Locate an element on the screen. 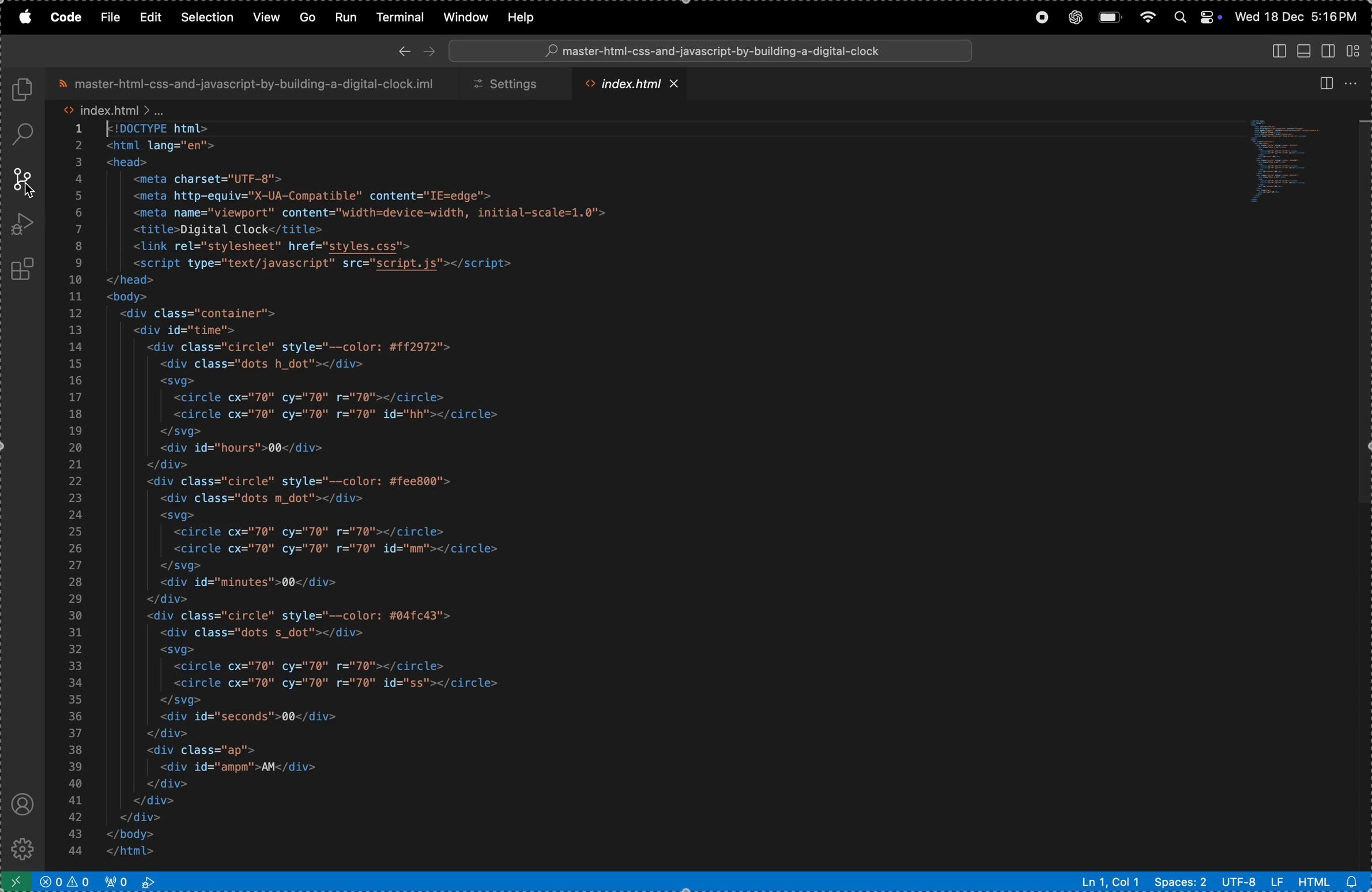 Image resolution: width=1372 pixels, height=892 pixels. <circle cx="70" cy="70" r="70"></circle> is located at coordinates (316, 667).